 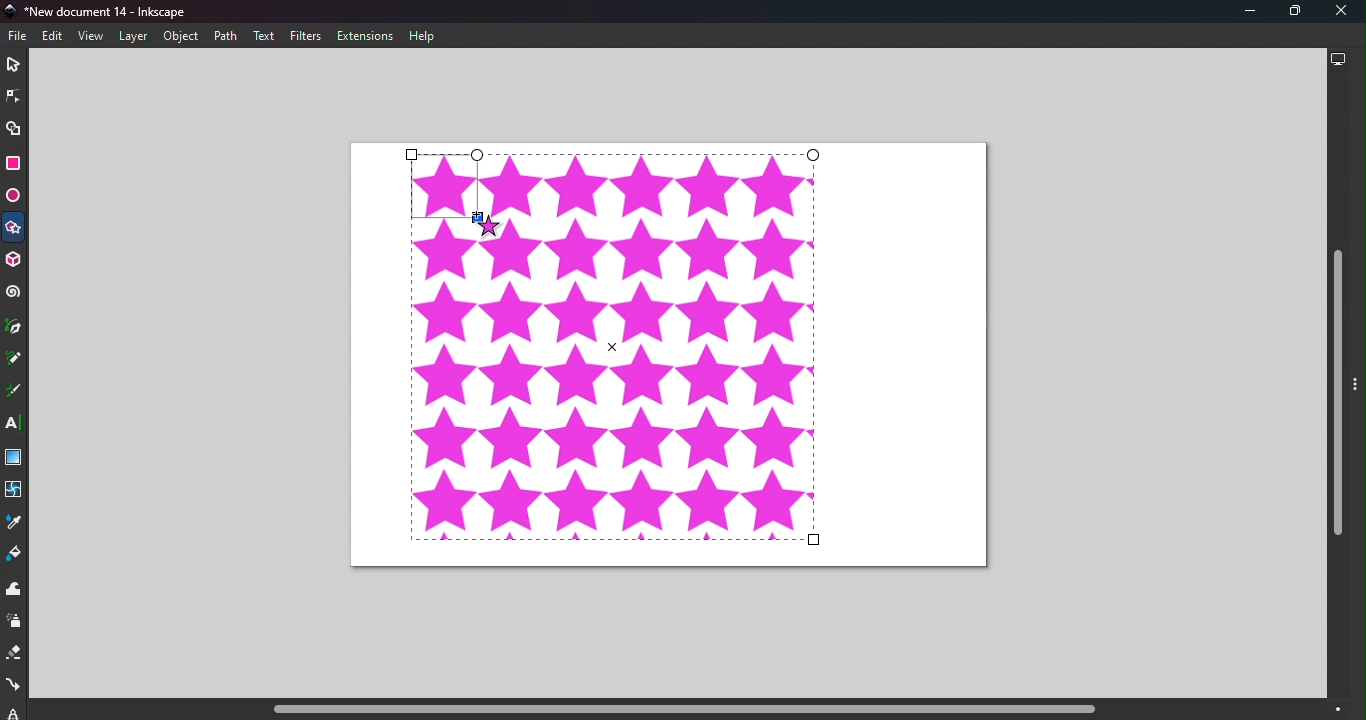 I want to click on Node tool, so click(x=12, y=96).